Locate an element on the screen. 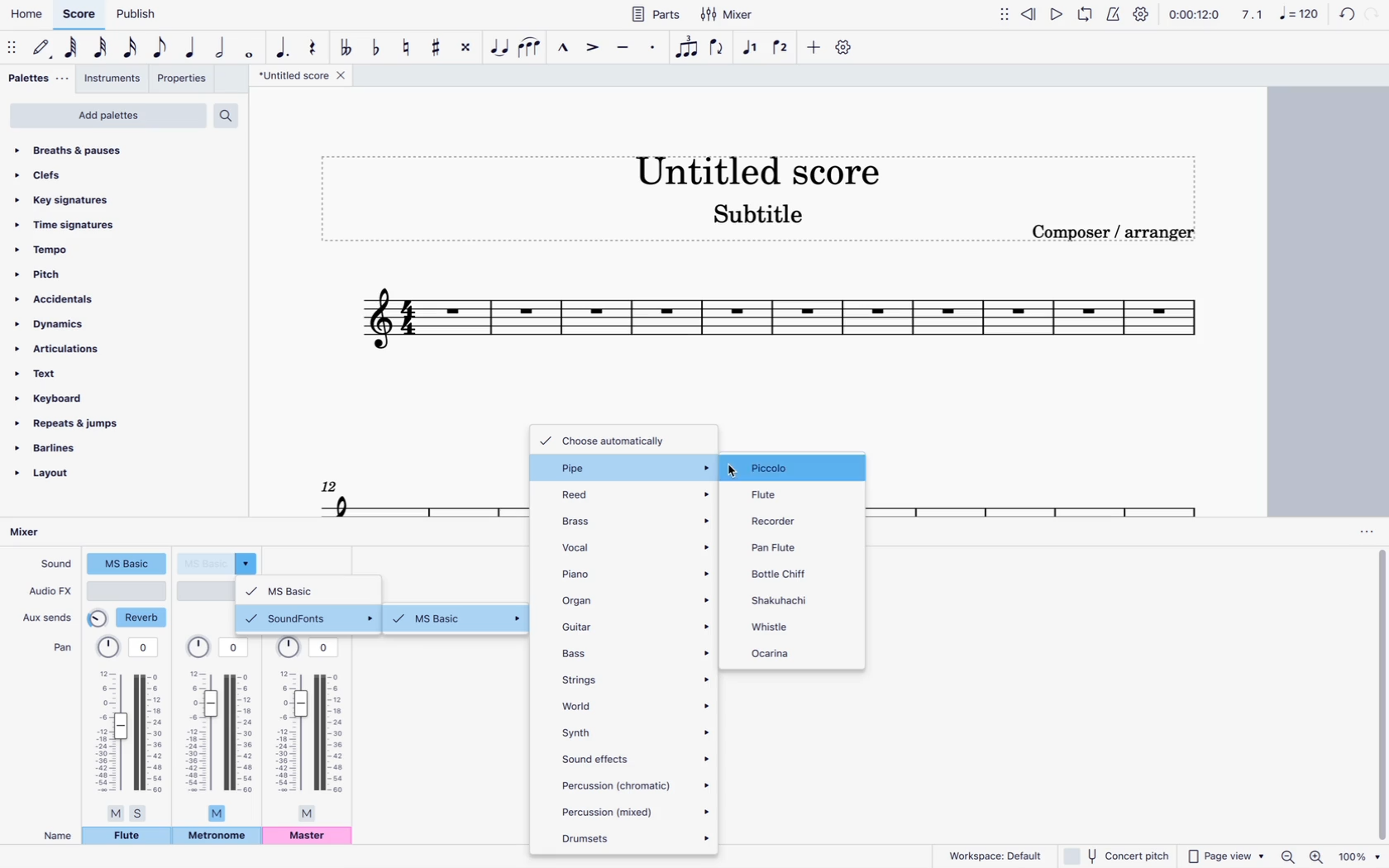  accidentals is located at coordinates (91, 298).